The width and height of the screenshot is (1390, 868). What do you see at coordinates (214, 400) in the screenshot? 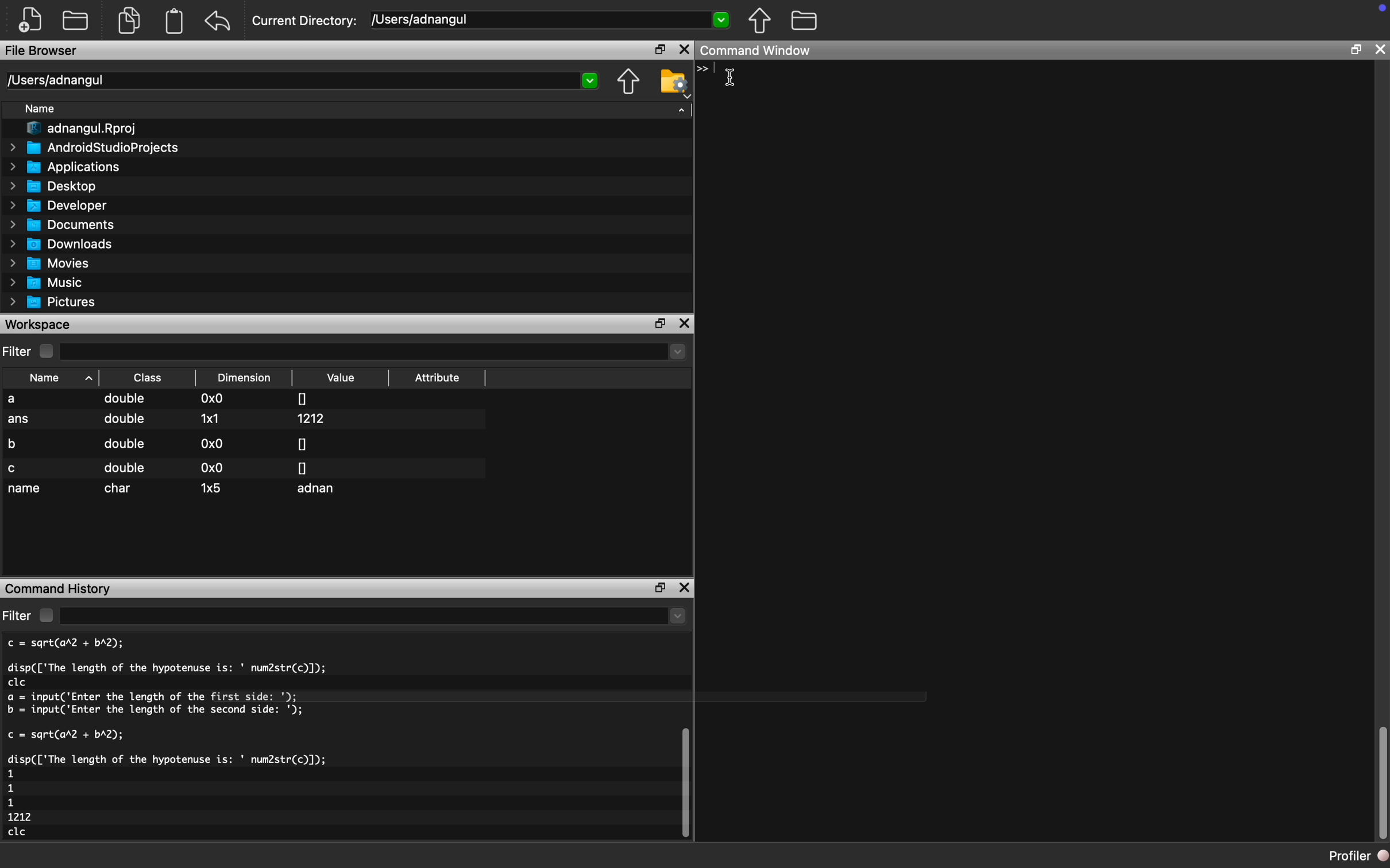
I see `0x0` at bounding box center [214, 400].